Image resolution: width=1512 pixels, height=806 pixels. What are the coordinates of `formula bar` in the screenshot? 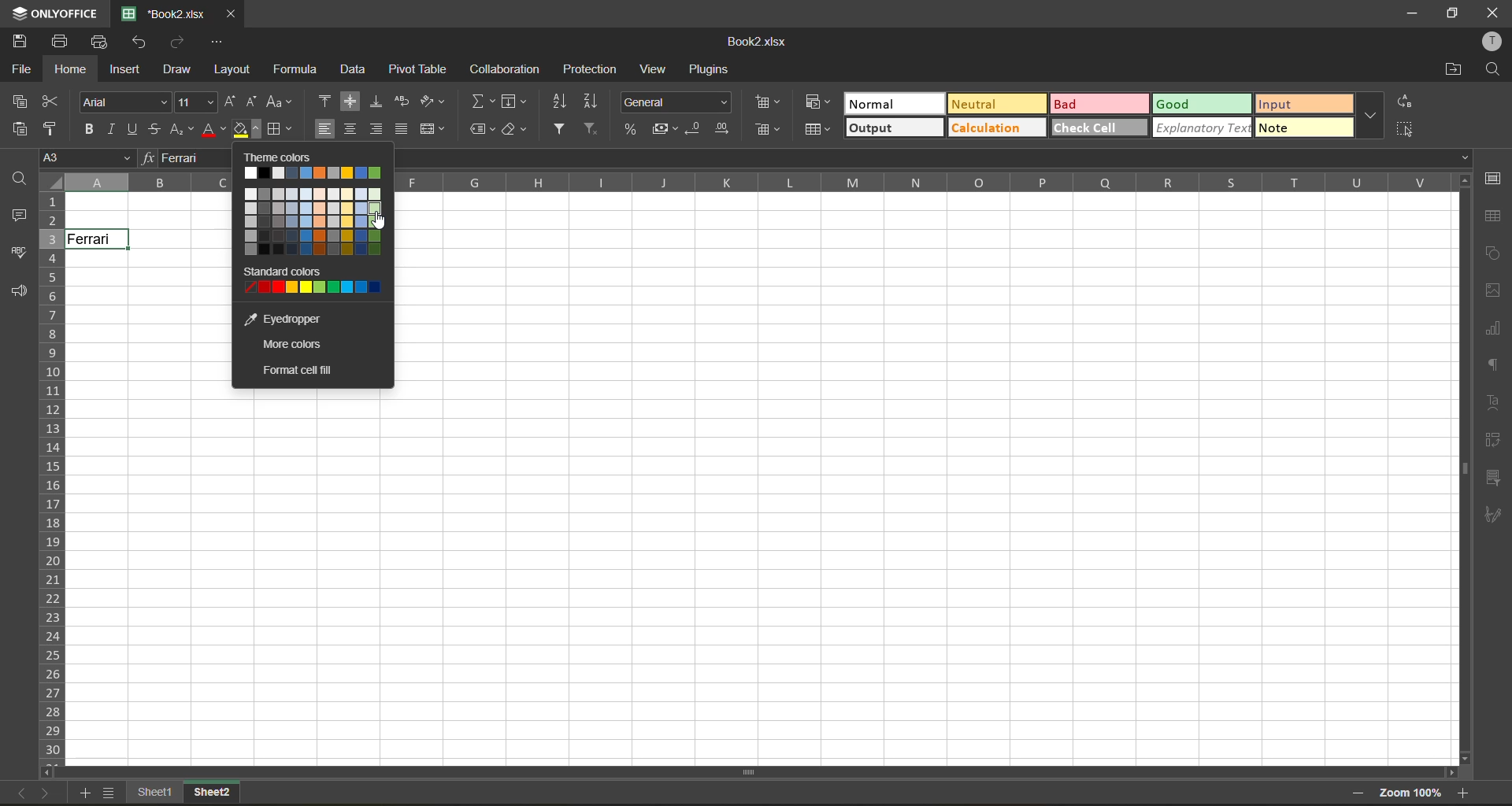 It's located at (184, 158).